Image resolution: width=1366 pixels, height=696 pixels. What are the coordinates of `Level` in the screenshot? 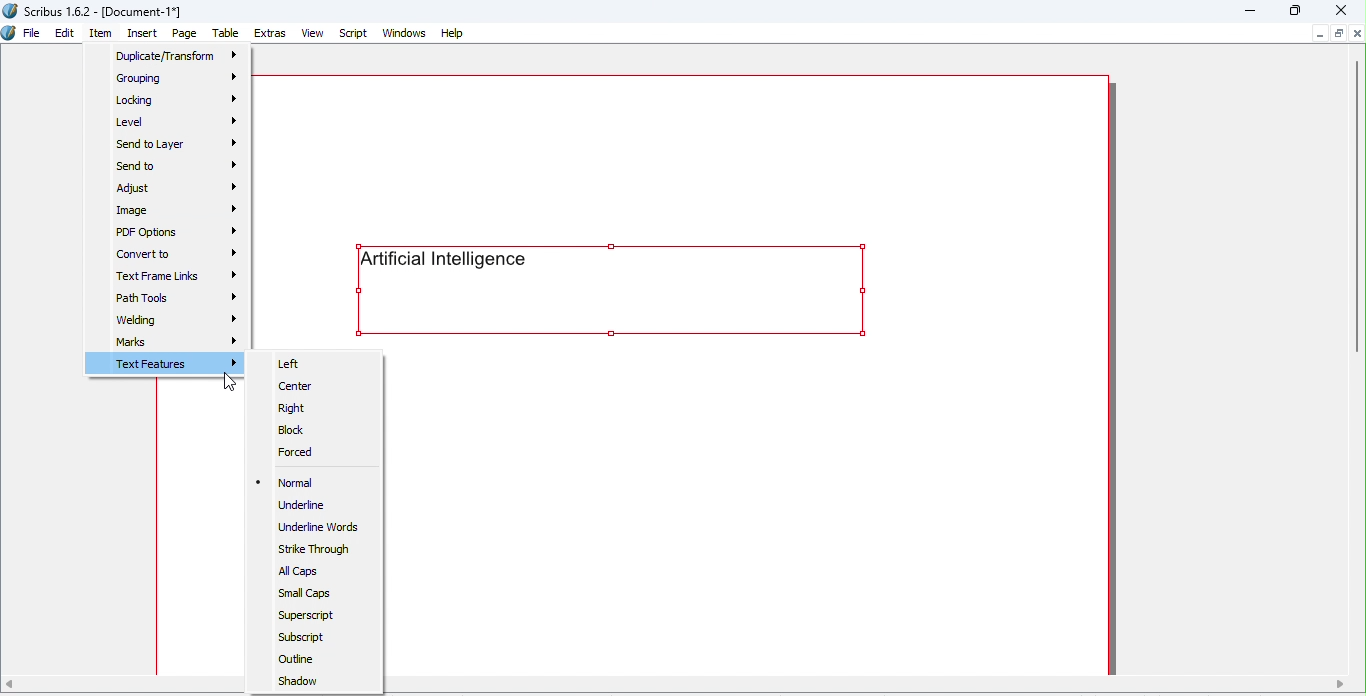 It's located at (182, 121).